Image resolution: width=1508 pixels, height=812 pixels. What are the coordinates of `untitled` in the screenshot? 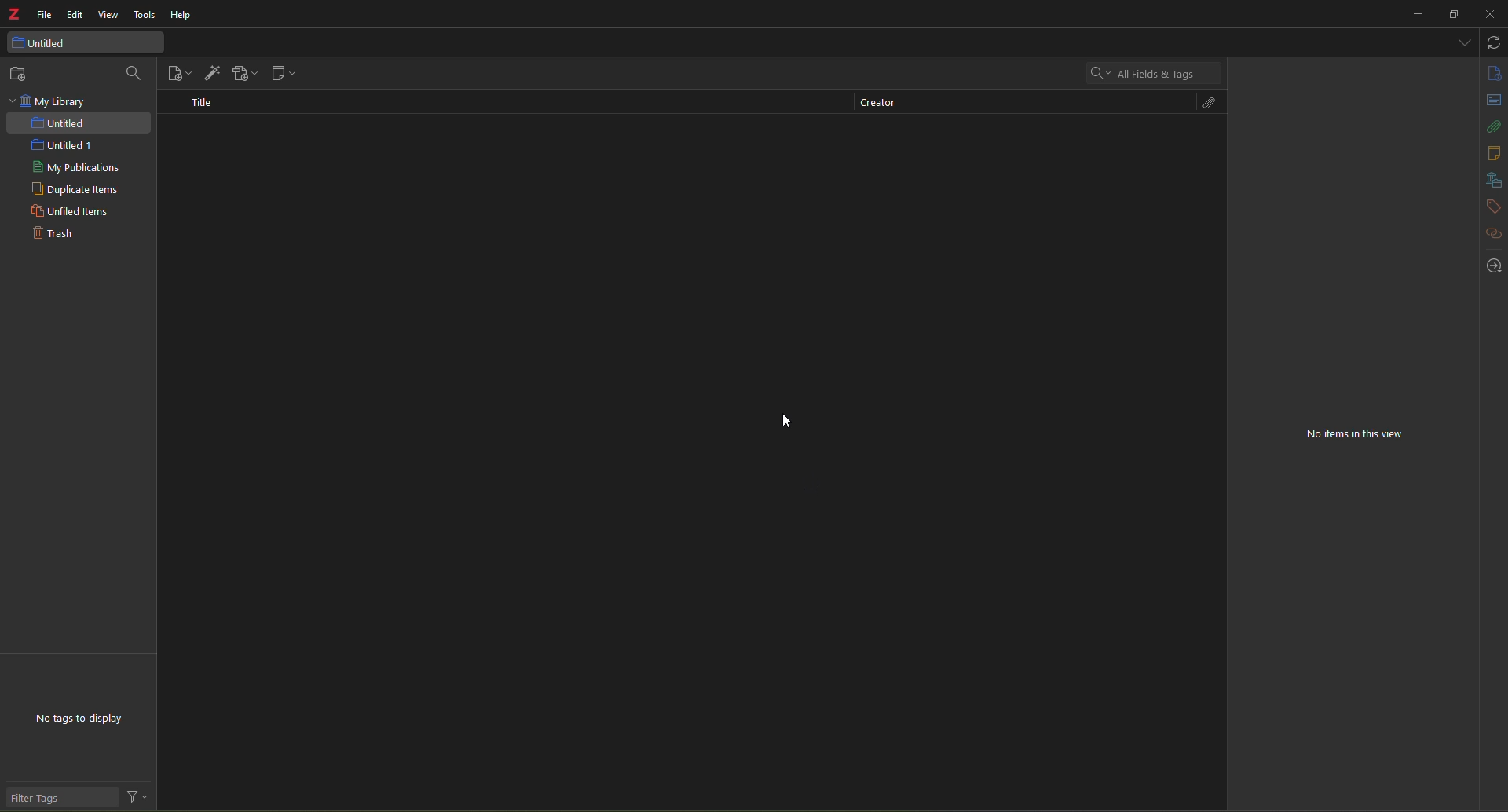 It's located at (52, 43).